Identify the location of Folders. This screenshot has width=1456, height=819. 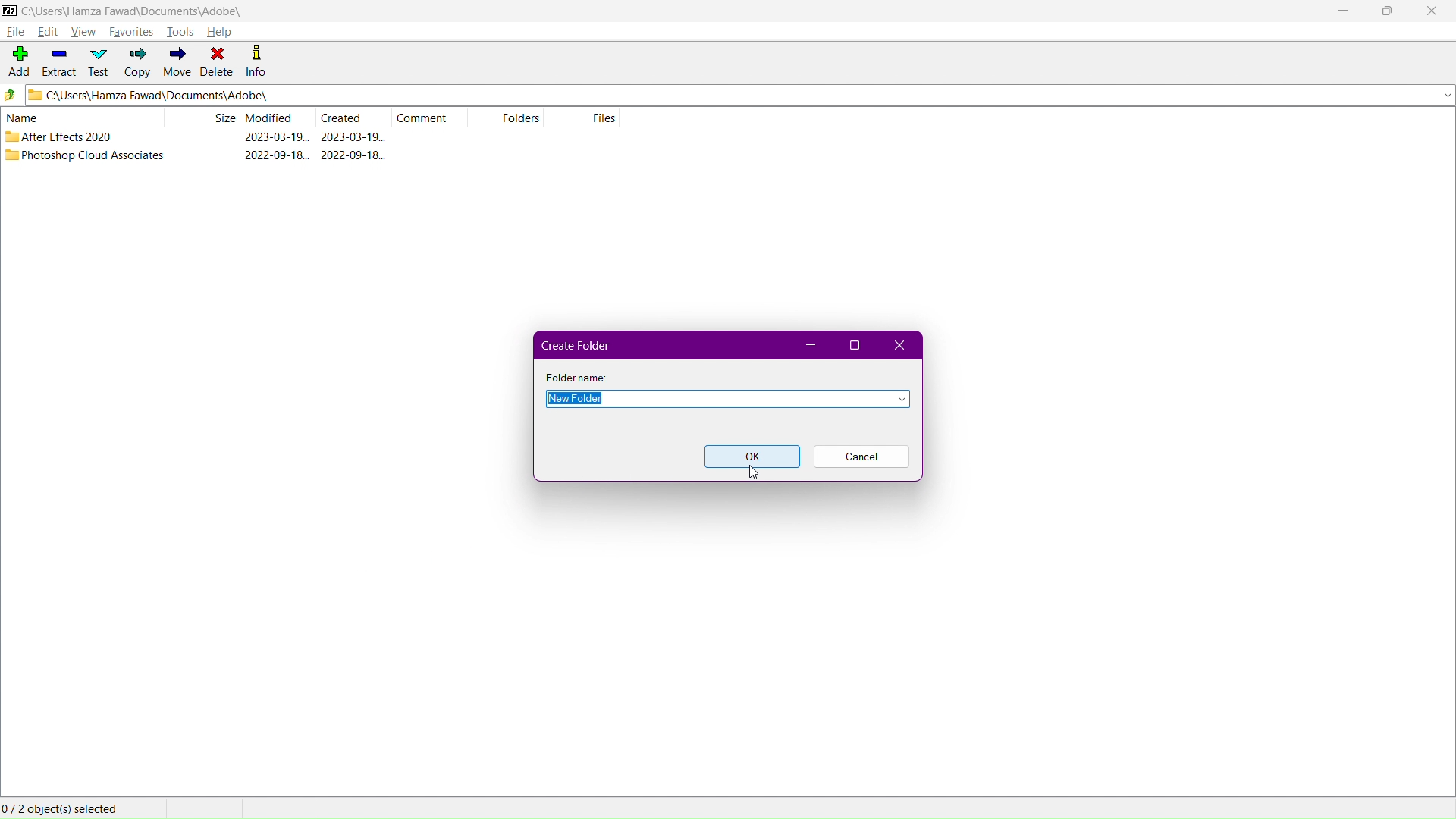
(513, 119).